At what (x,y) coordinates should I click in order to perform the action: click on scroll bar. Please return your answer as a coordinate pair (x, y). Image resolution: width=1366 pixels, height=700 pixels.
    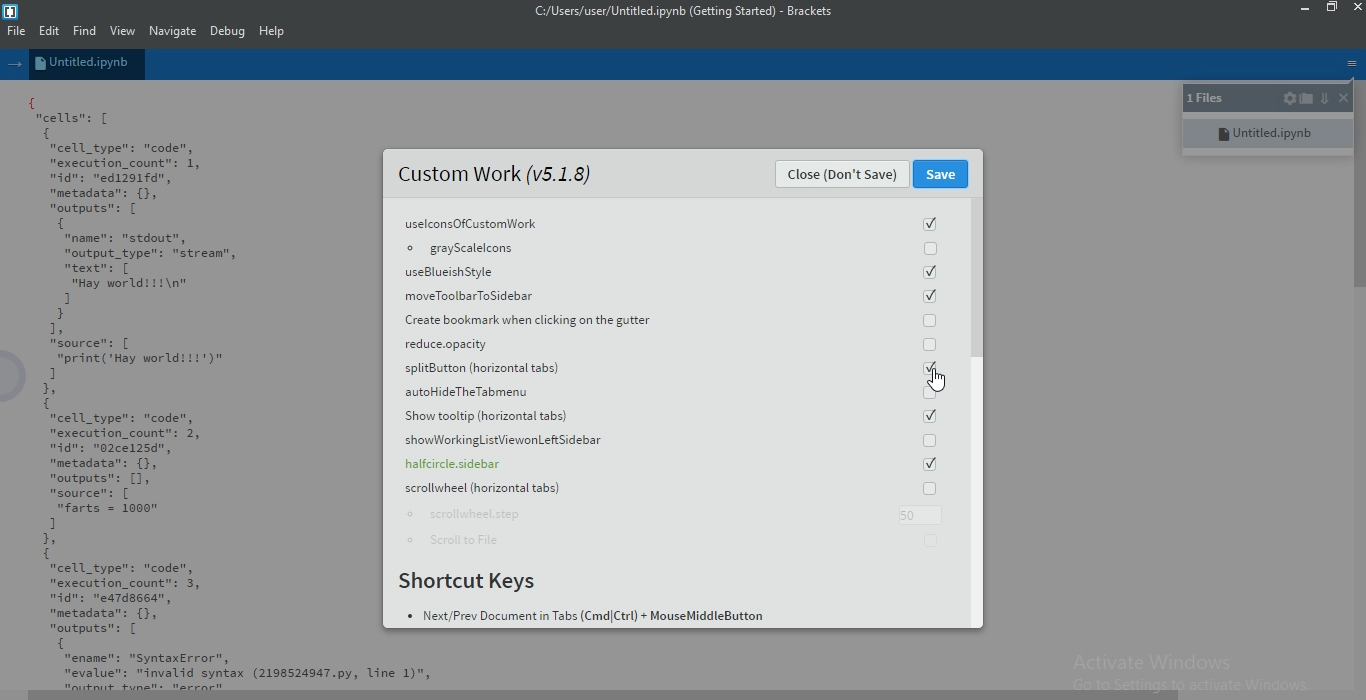
    Looking at the image, I should click on (980, 277).